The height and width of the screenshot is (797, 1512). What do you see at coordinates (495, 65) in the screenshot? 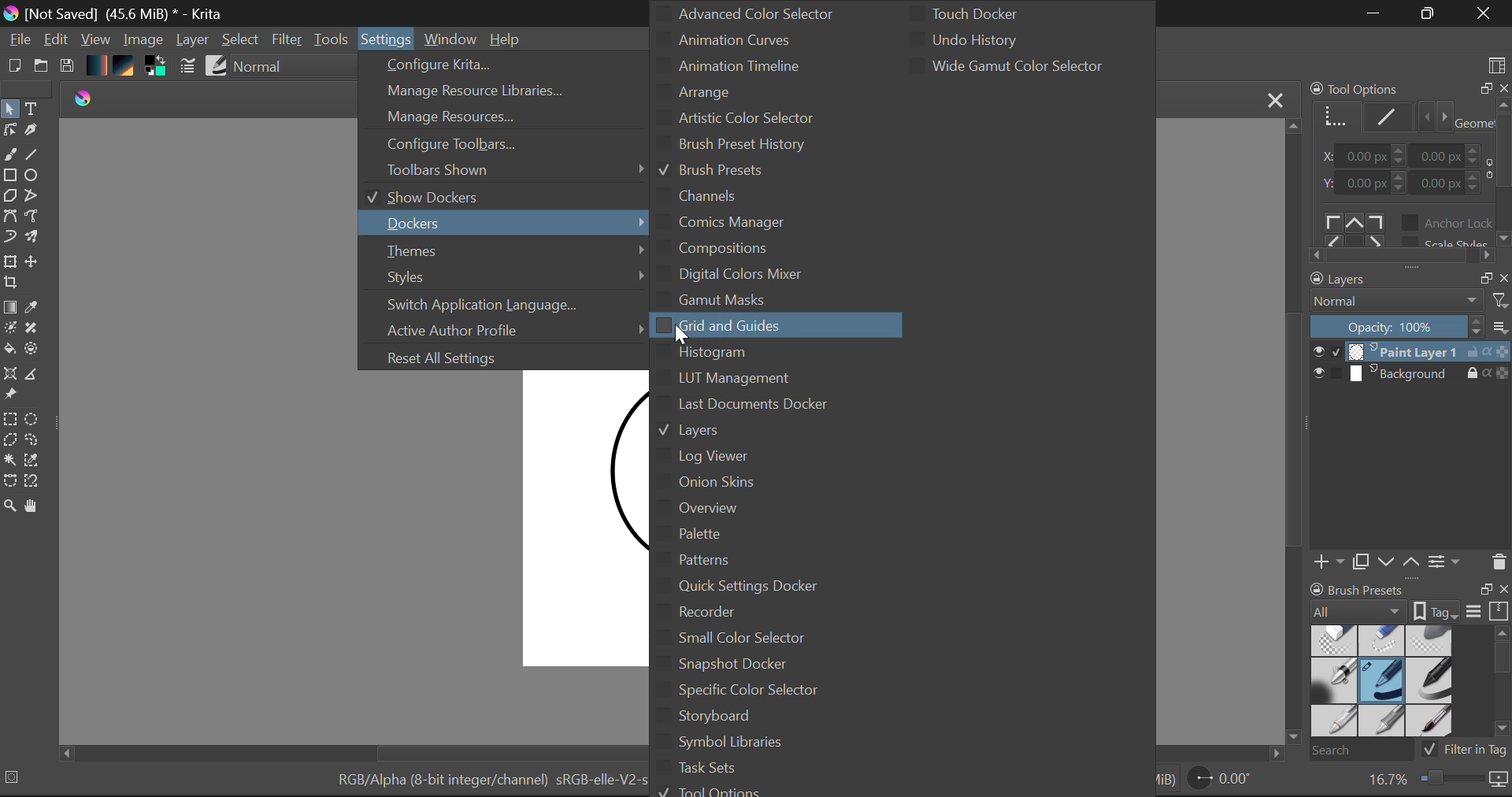
I see `Configure Krita` at bounding box center [495, 65].